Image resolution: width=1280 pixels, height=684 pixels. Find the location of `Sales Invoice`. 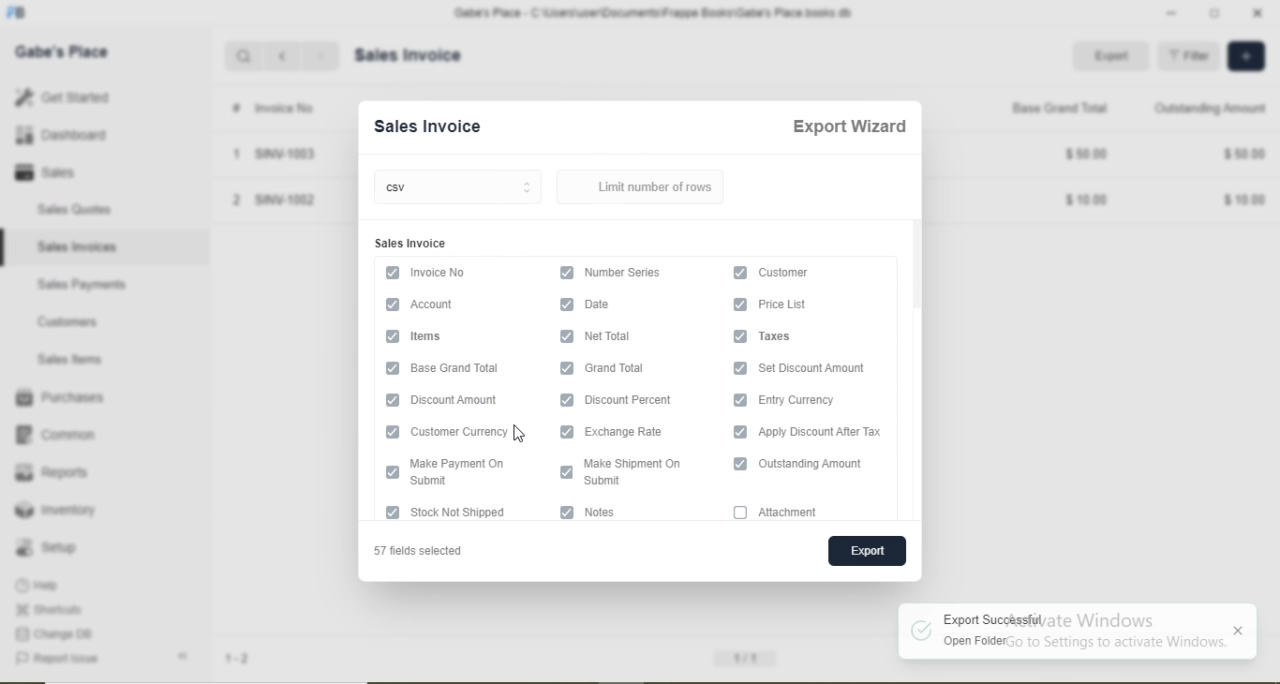

Sales Invoice is located at coordinates (416, 55).